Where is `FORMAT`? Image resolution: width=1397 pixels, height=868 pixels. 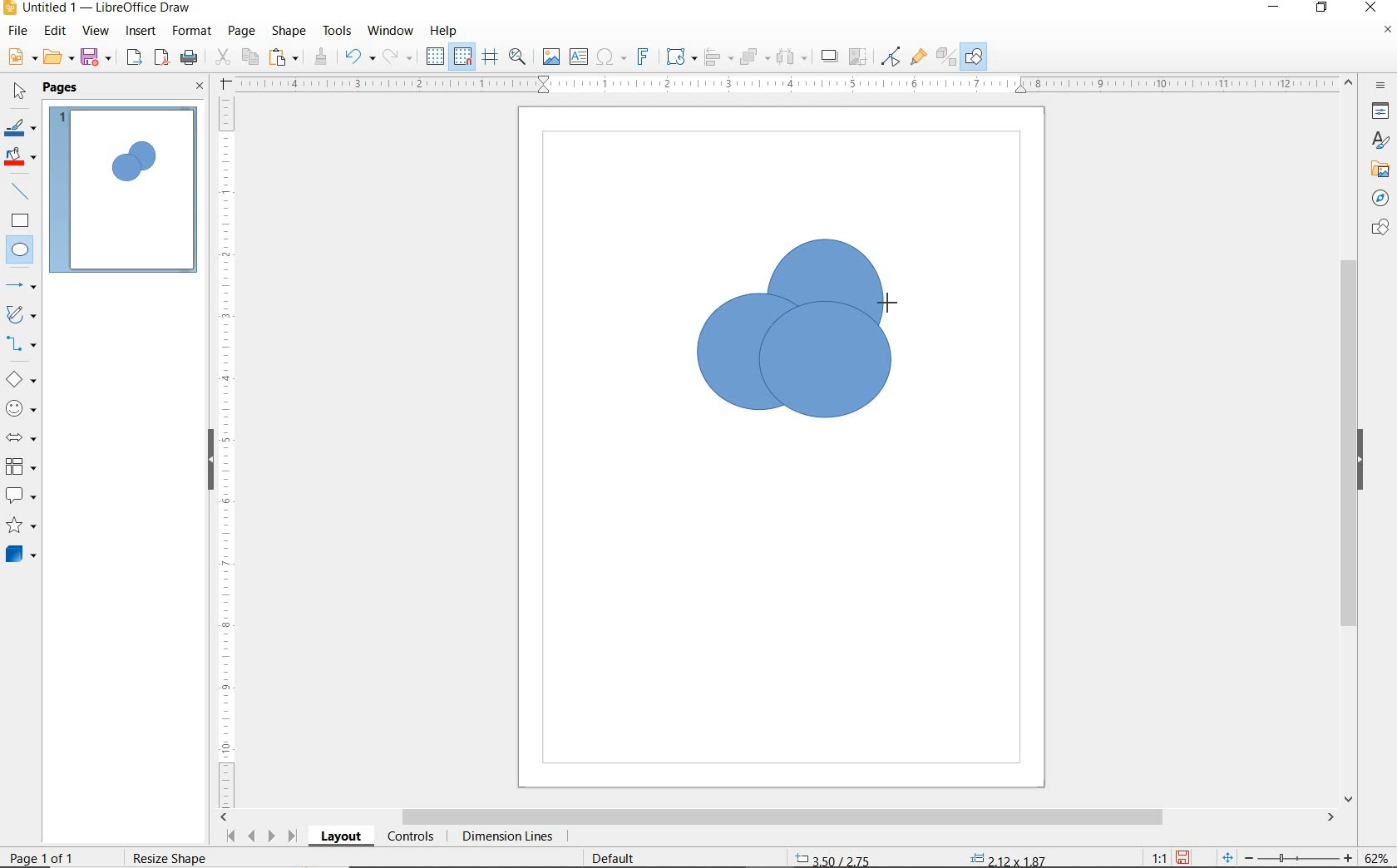 FORMAT is located at coordinates (193, 31).